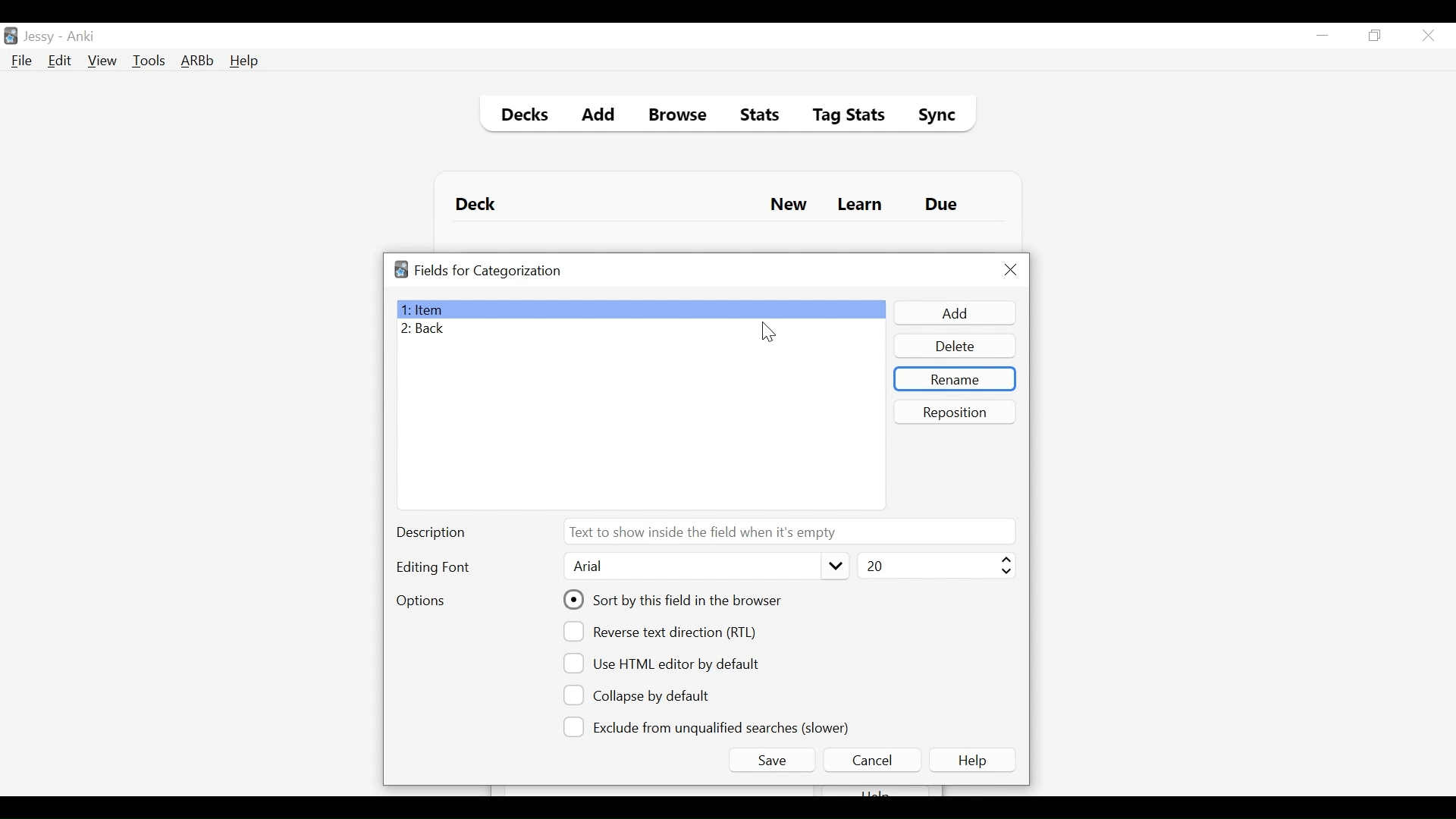 The height and width of the screenshot is (819, 1456). I want to click on Save, so click(771, 760).